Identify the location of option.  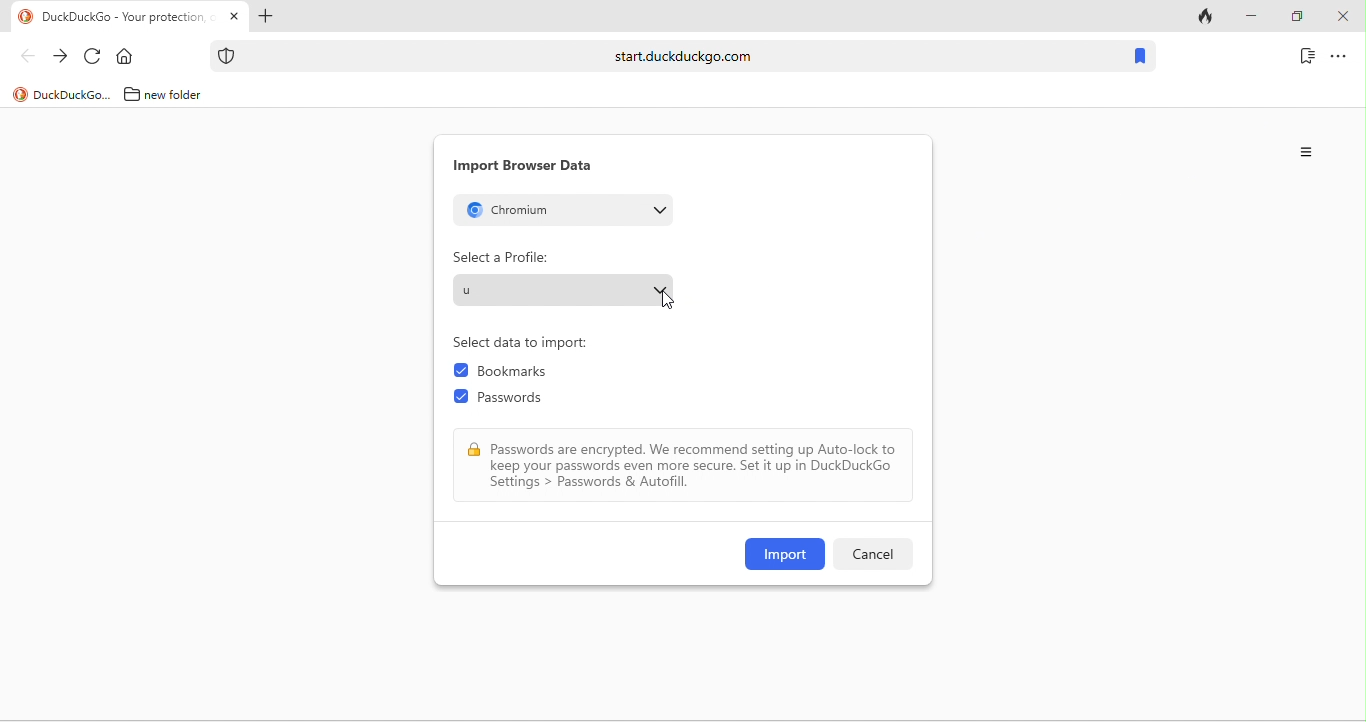
(1308, 152).